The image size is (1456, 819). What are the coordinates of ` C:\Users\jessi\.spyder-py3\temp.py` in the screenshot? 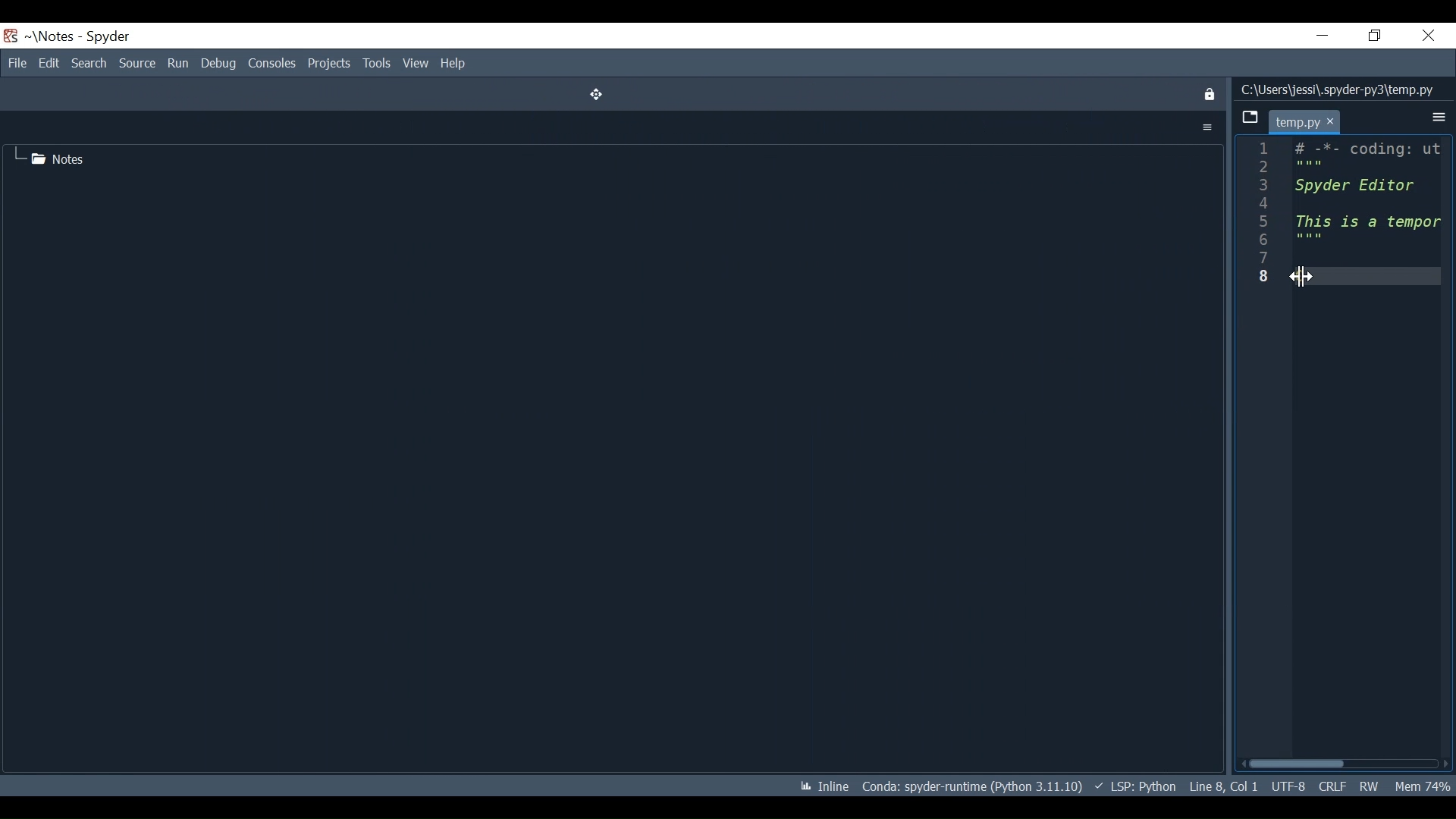 It's located at (1338, 88).